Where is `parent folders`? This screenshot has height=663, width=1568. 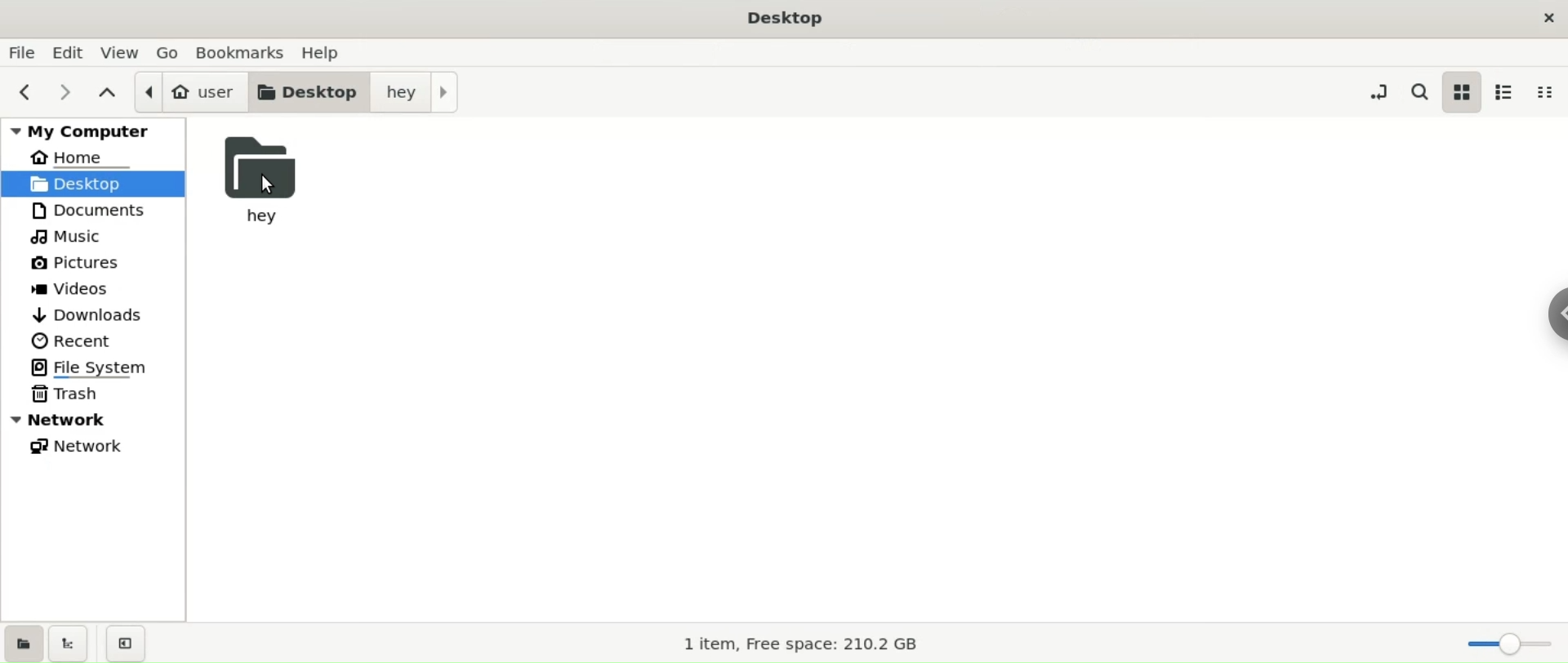
parent folders is located at coordinates (105, 91).